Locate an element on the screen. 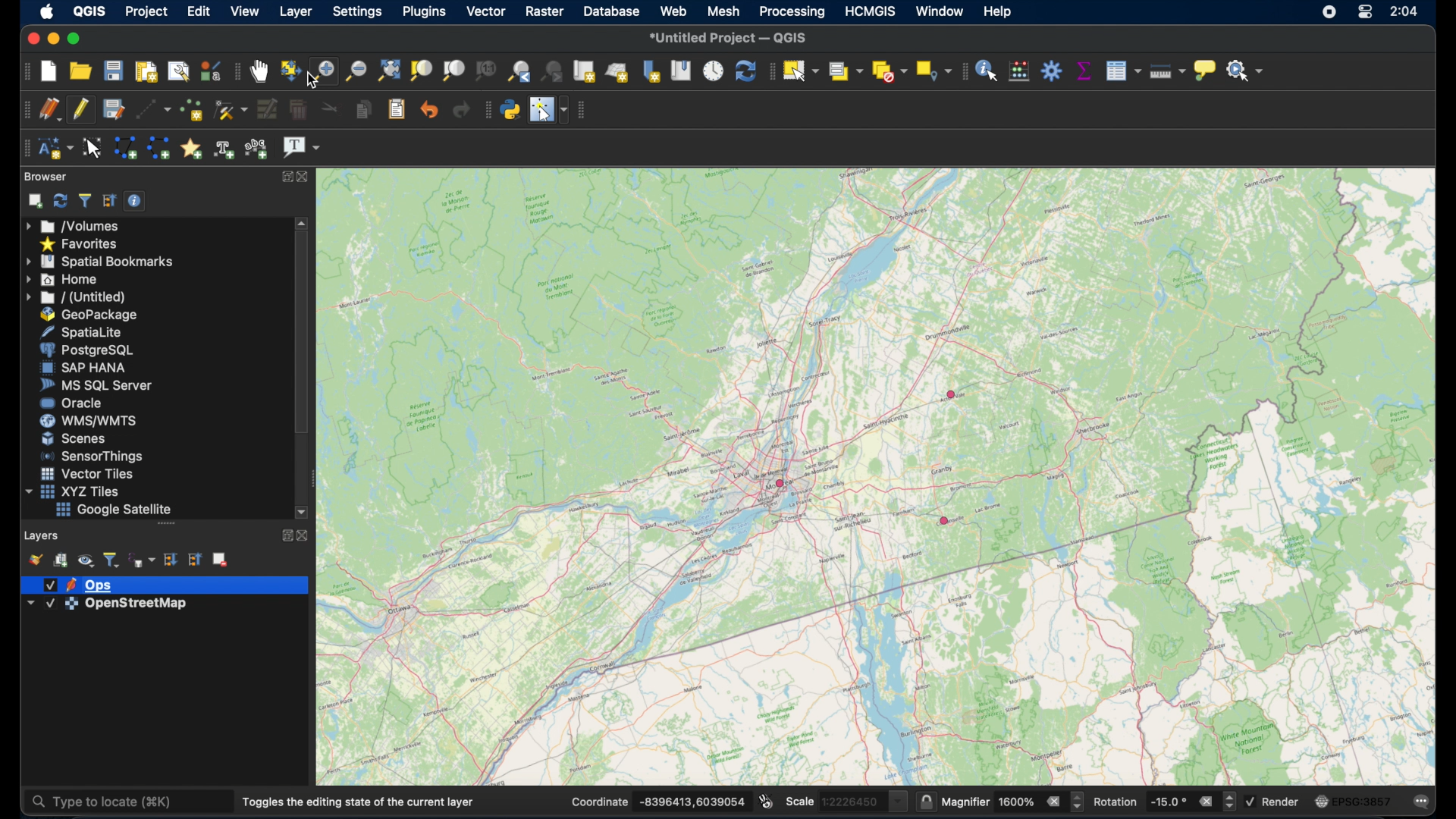  open street map is located at coordinates (849, 648).